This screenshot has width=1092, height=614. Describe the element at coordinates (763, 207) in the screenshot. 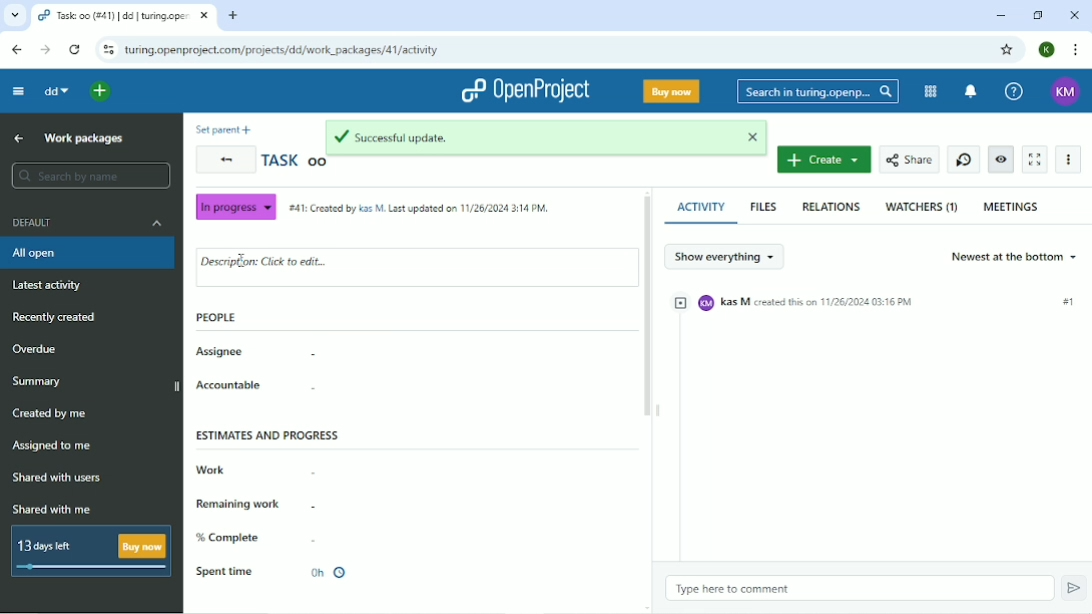

I see `FILES` at that location.